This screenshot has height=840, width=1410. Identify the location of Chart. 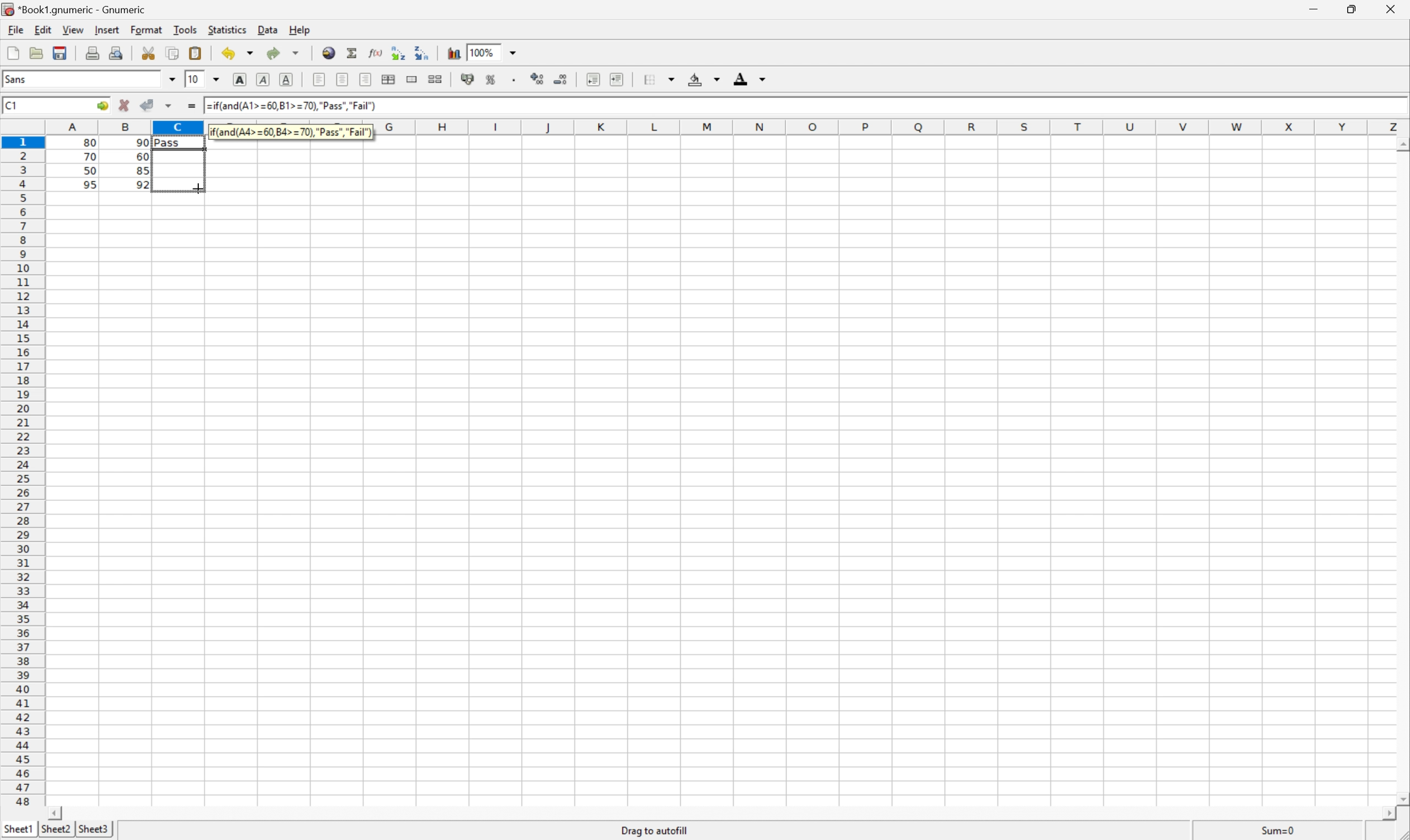
(451, 53).